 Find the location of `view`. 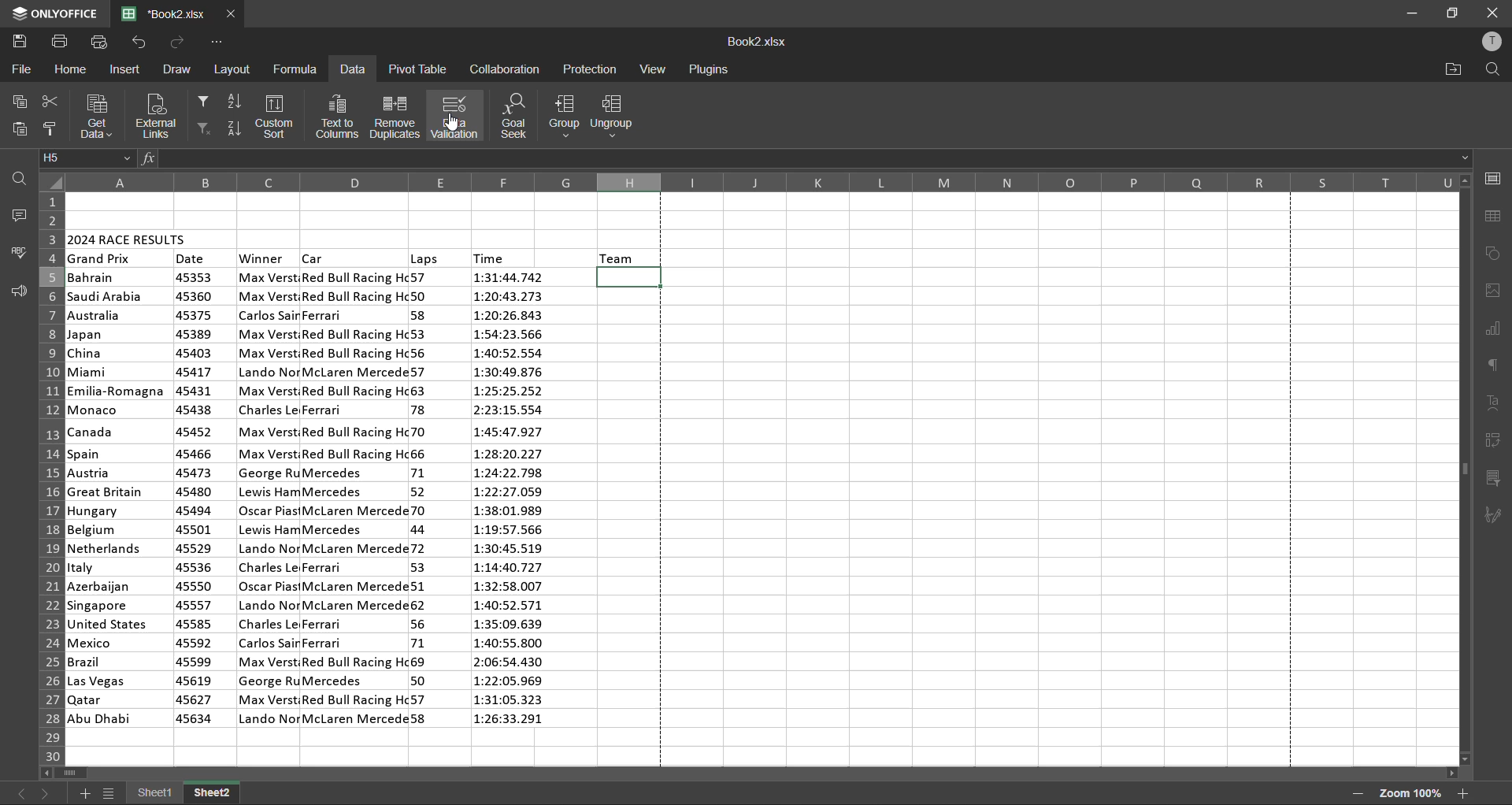

view is located at coordinates (652, 69).